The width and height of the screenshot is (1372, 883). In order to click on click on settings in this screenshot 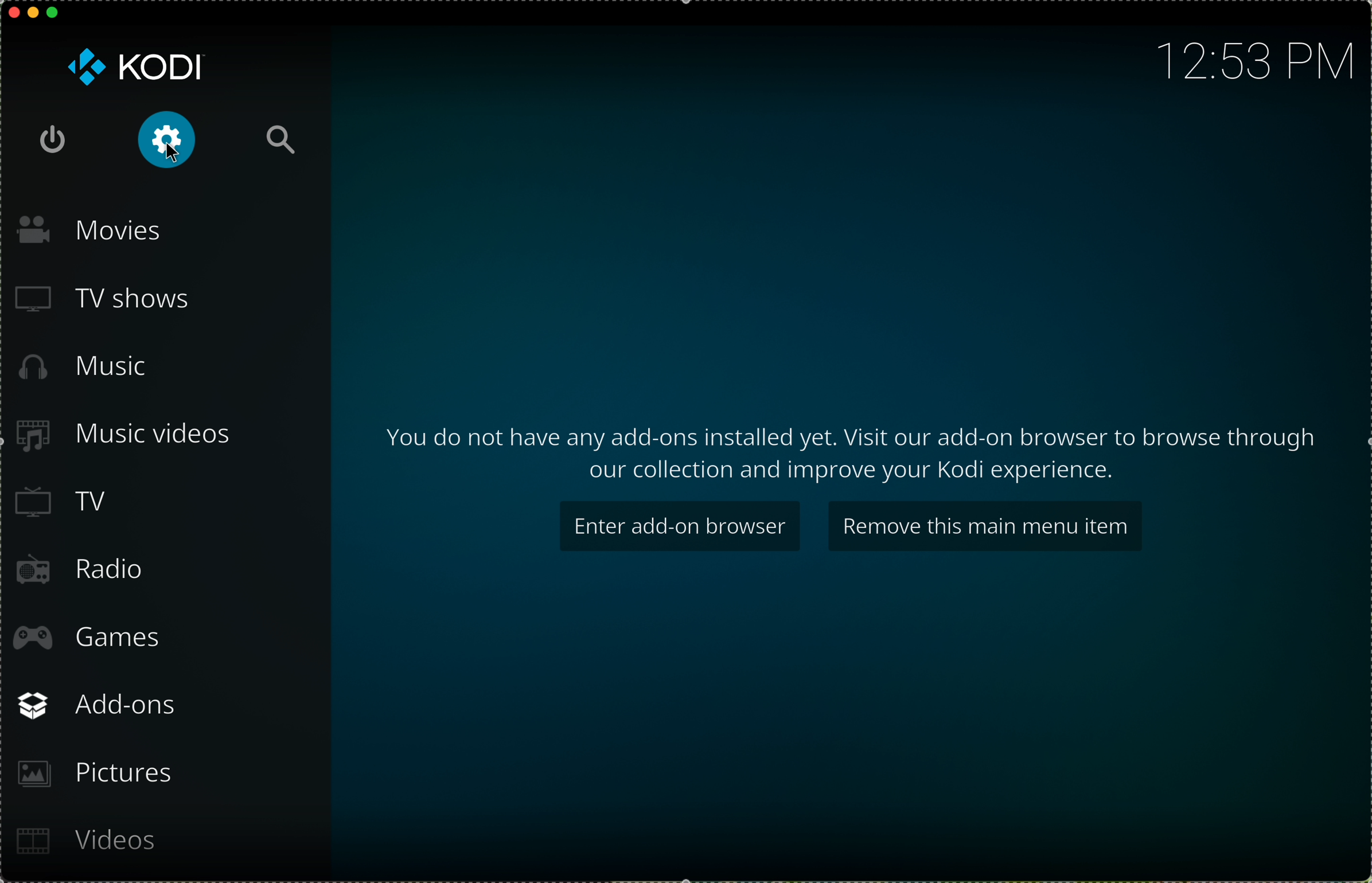, I will do `click(167, 141)`.